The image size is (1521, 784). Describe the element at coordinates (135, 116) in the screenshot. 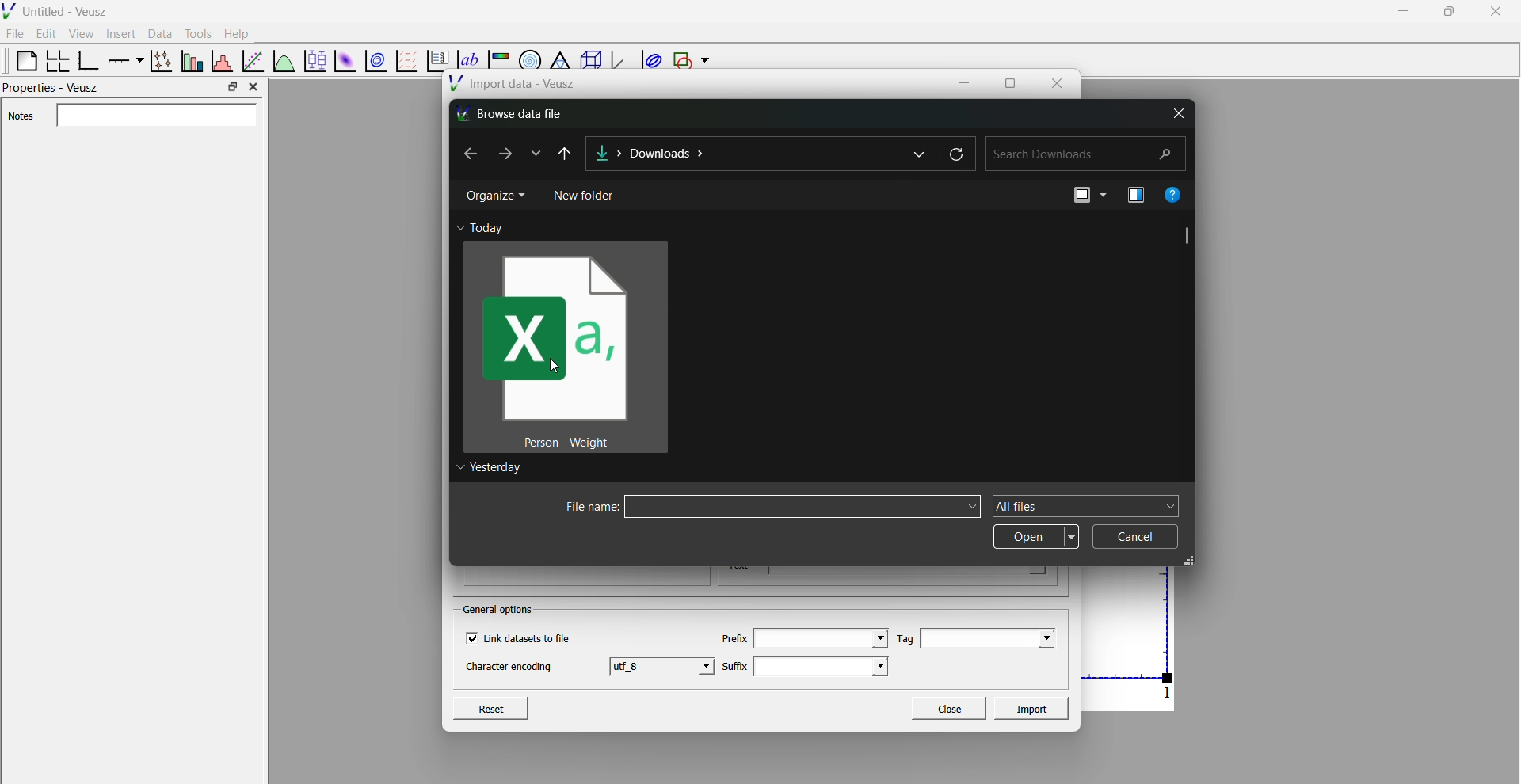

I see `Notes` at that location.